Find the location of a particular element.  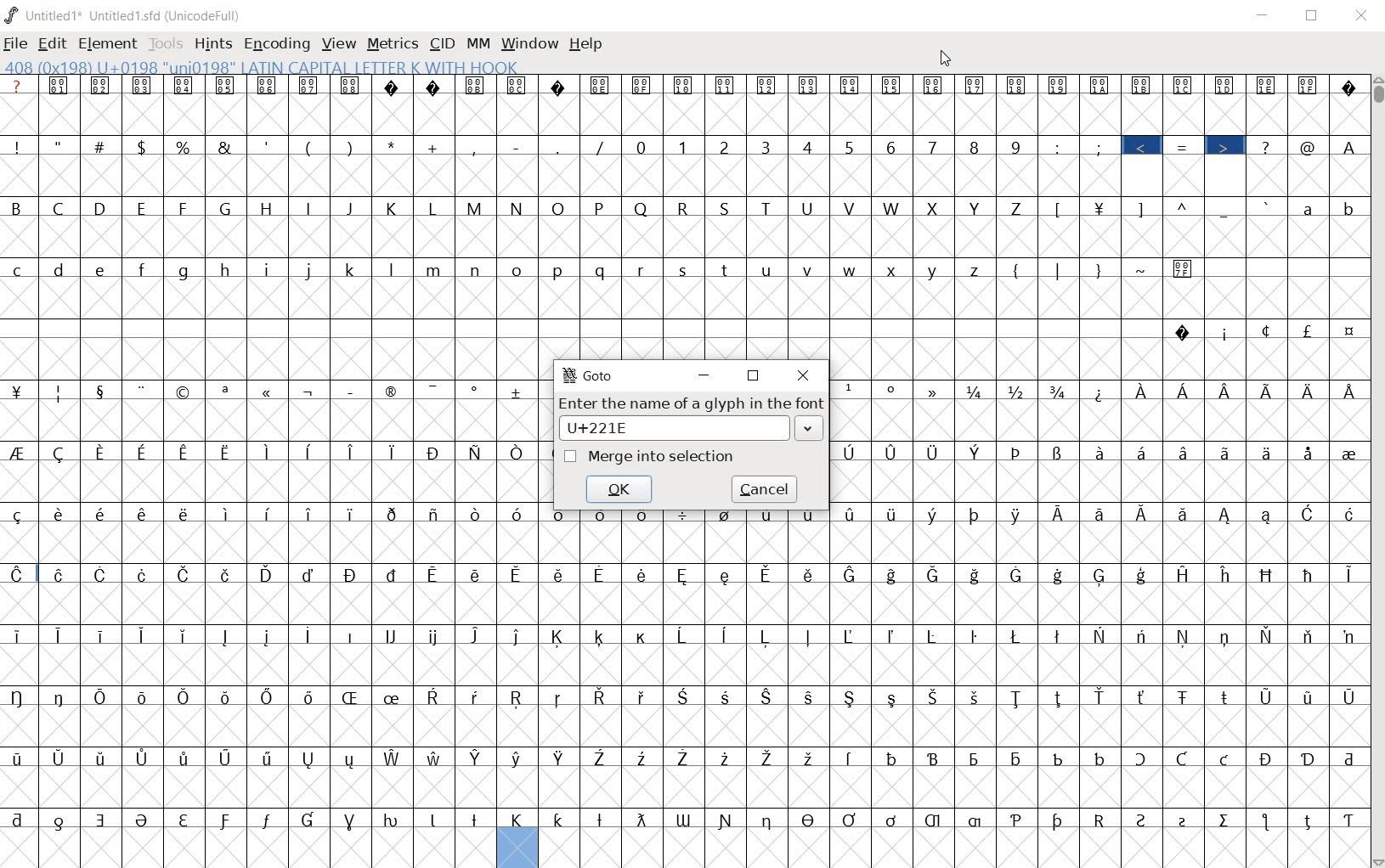

empty glyph slots is located at coordinates (684, 603).